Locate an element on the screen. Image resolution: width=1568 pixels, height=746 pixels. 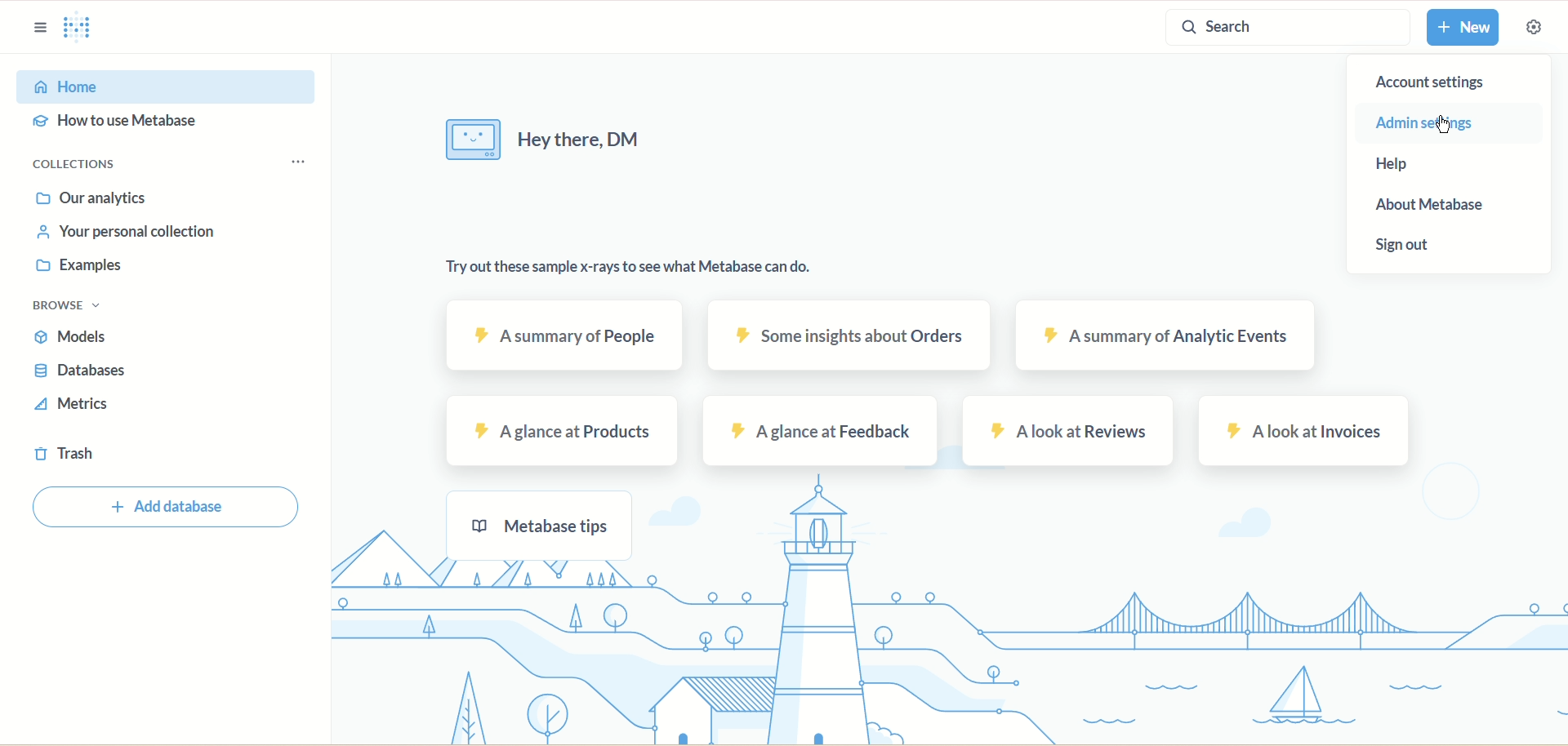
A look at invoices is located at coordinates (1309, 433).